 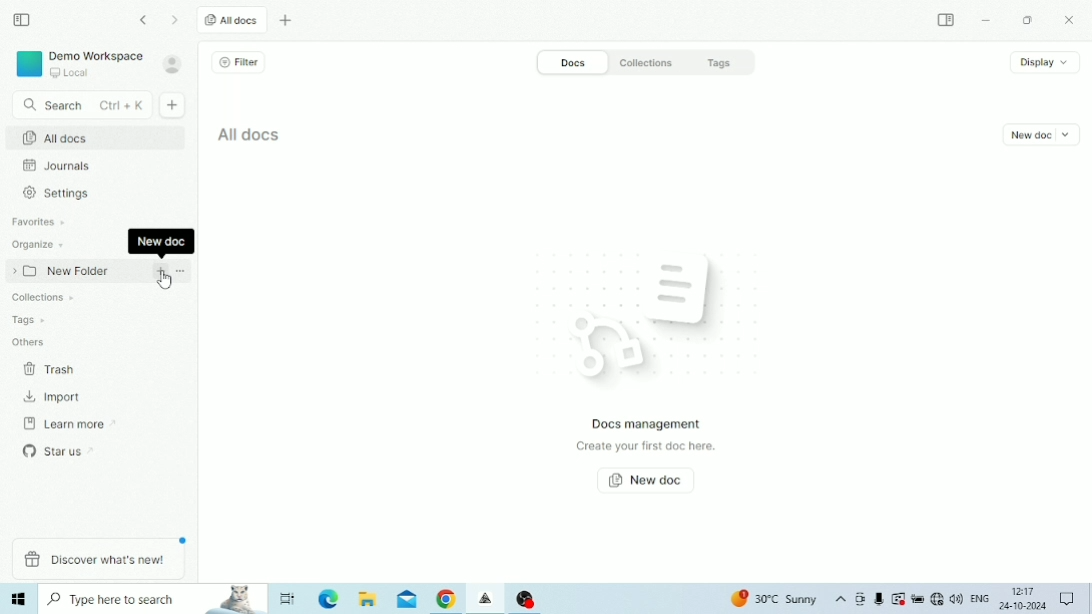 What do you see at coordinates (1043, 135) in the screenshot?
I see `New doc` at bounding box center [1043, 135].